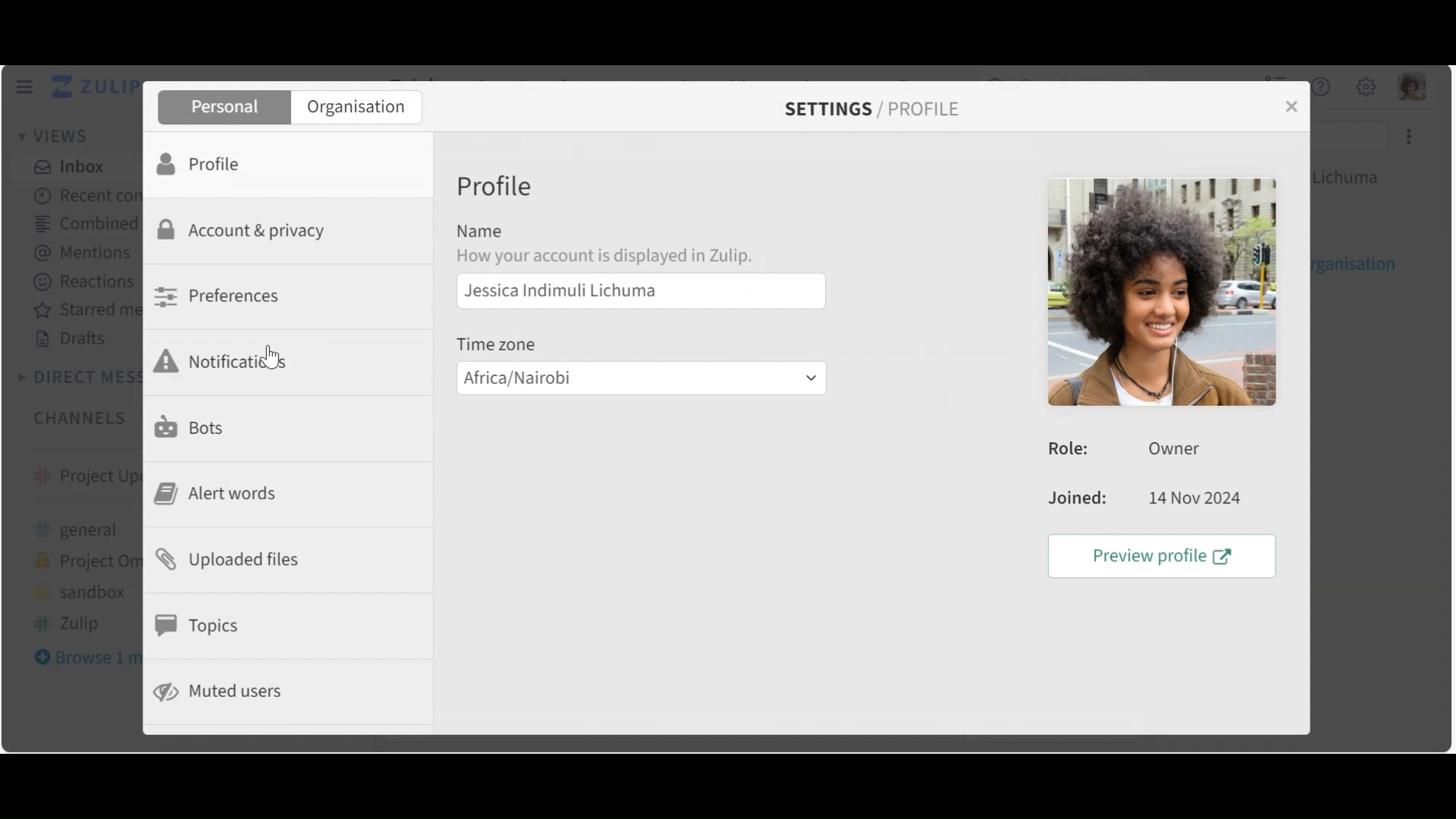 The width and height of the screenshot is (1456, 819). What do you see at coordinates (278, 365) in the screenshot?
I see `cursor` at bounding box center [278, 365].